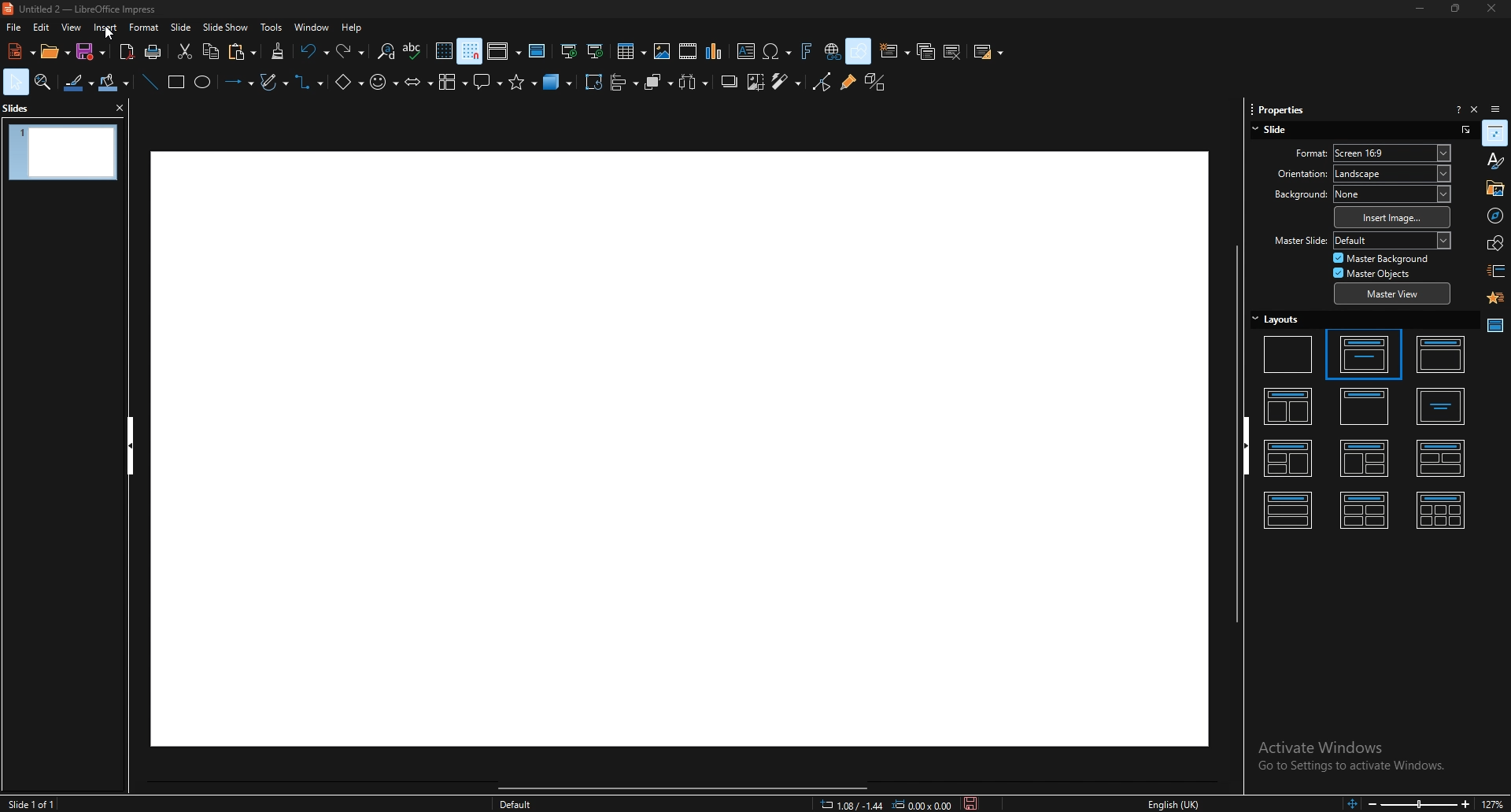 This screenshot has width=1511, height=812. What do you see at coordinates (1465, 803) in the screenshot?
I see `zoom in` at bounding box center [1465, 803].